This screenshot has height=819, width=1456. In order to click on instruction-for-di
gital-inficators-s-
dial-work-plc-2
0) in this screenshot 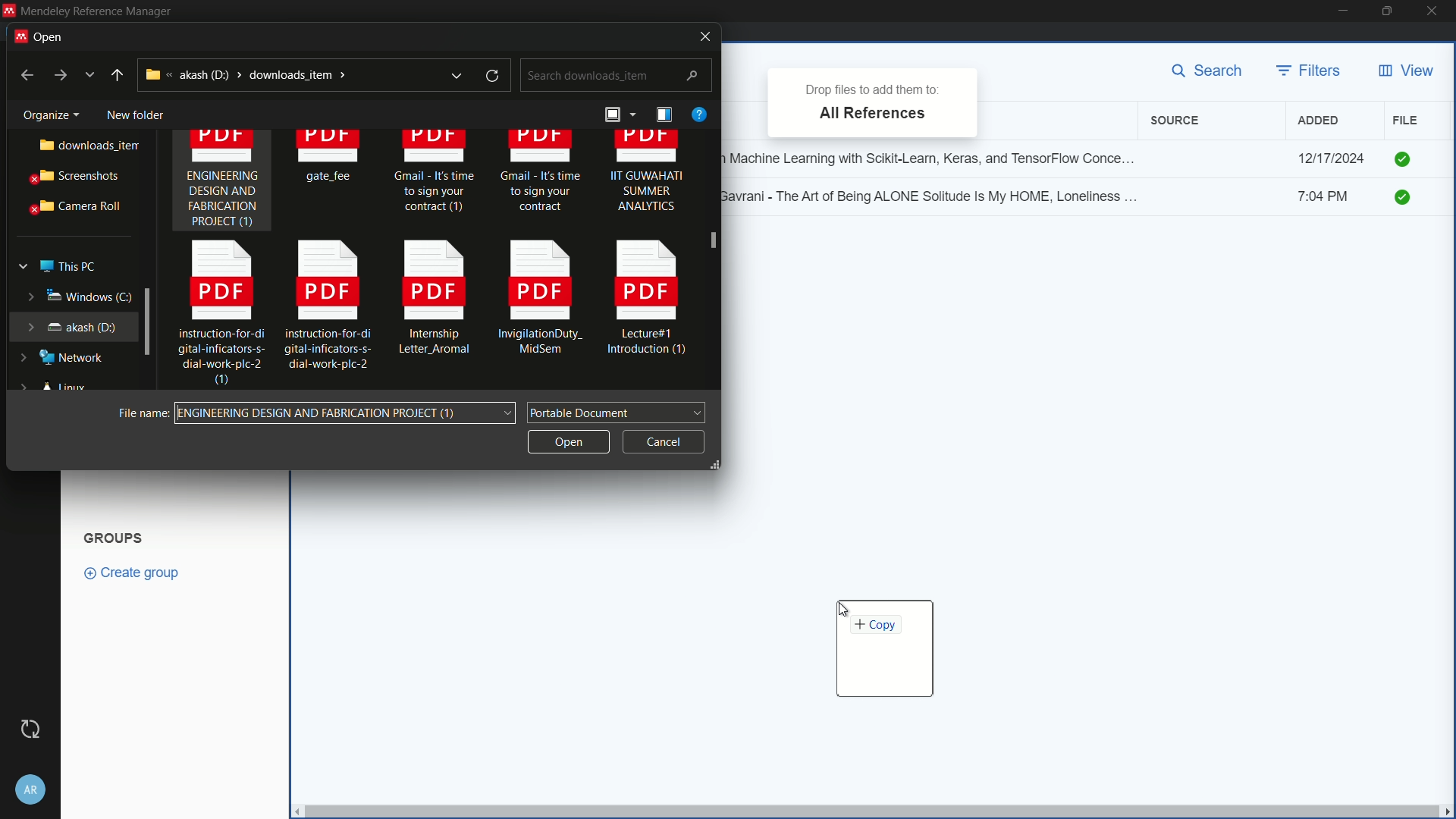, I will do `click(214, 315)`.